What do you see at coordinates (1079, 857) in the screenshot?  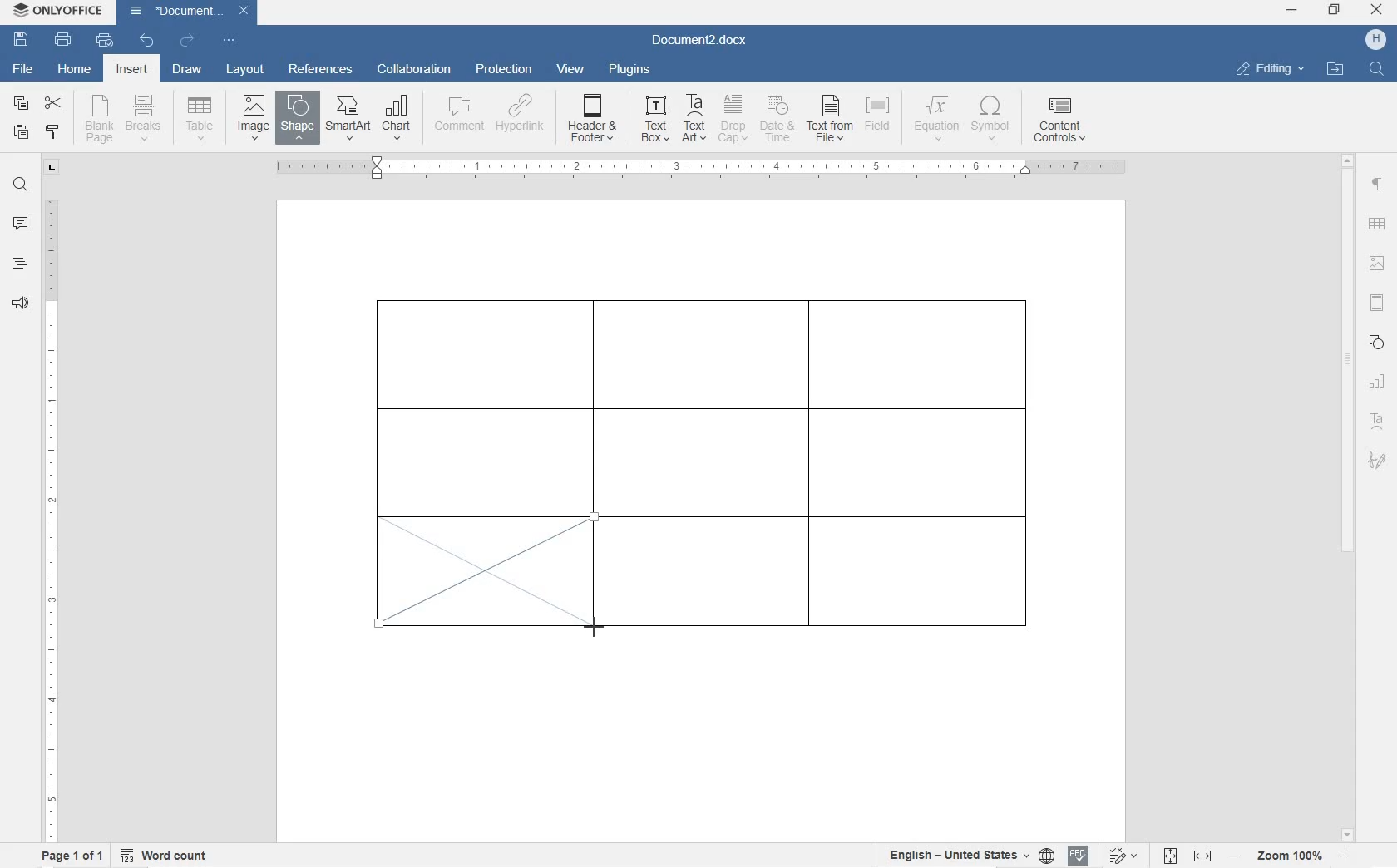 I see `spell check` at bounding box center [1079, 857].